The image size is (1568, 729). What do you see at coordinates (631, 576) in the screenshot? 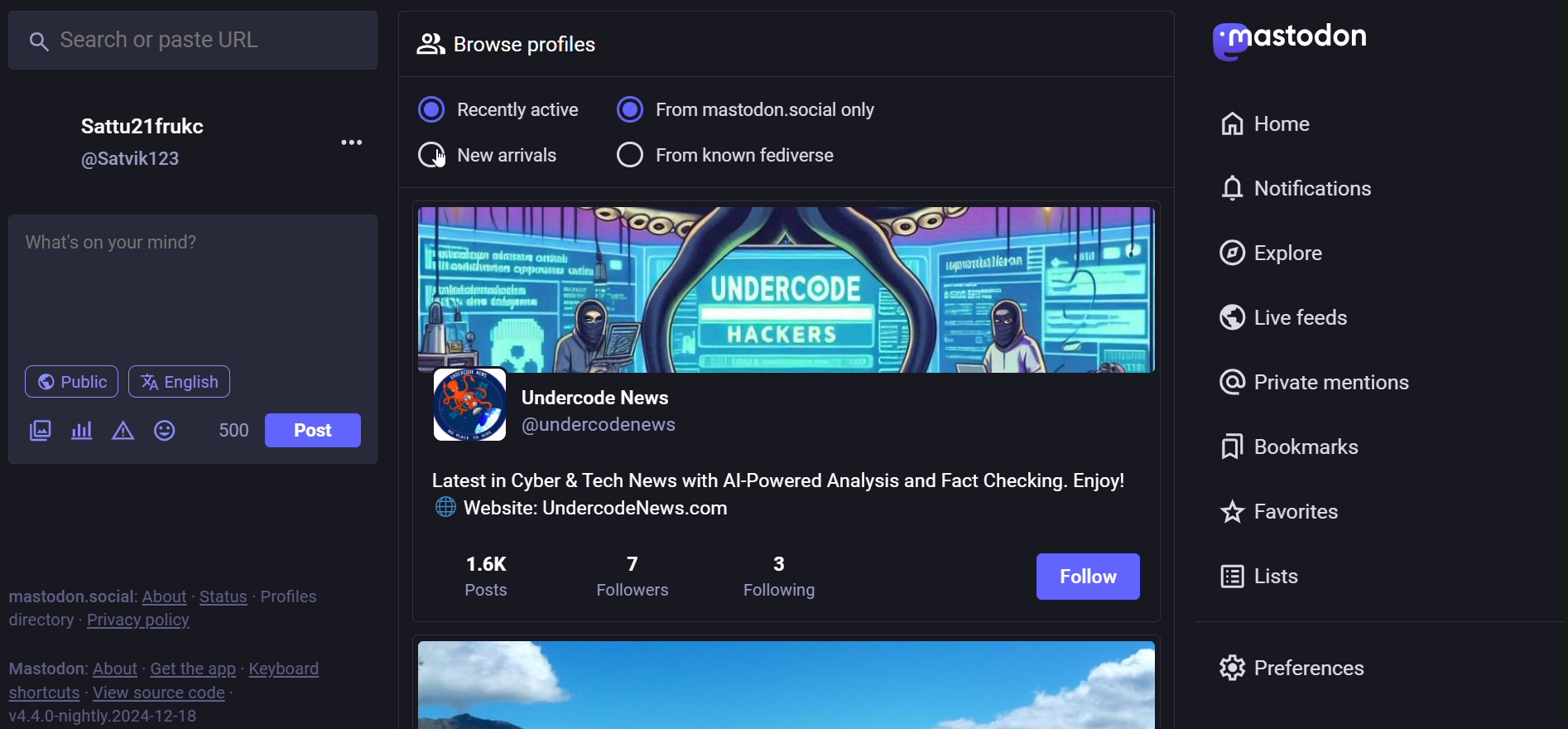
I see `7 followers` at bounding box center [631, 576].